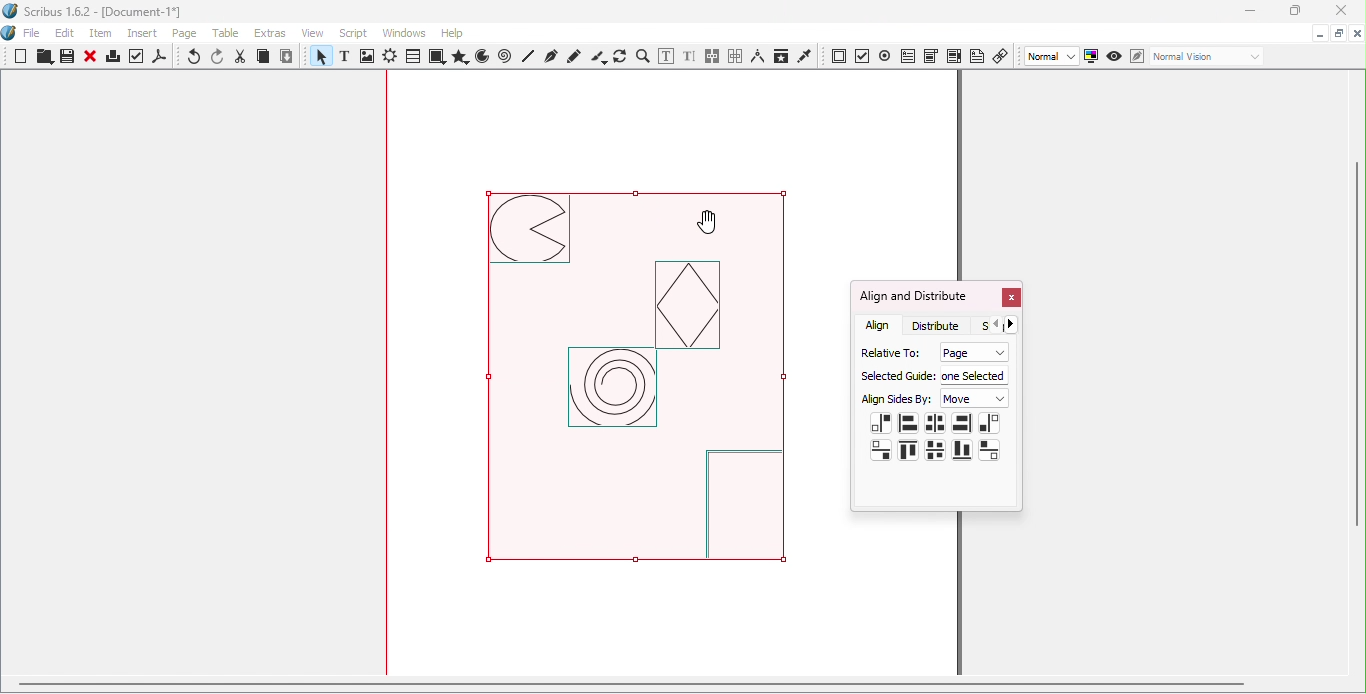 The height and width of the screenshot is (694, 1366). Describe the element at coordinates (112, 59) in the screenshot. I see `Print` at that location.